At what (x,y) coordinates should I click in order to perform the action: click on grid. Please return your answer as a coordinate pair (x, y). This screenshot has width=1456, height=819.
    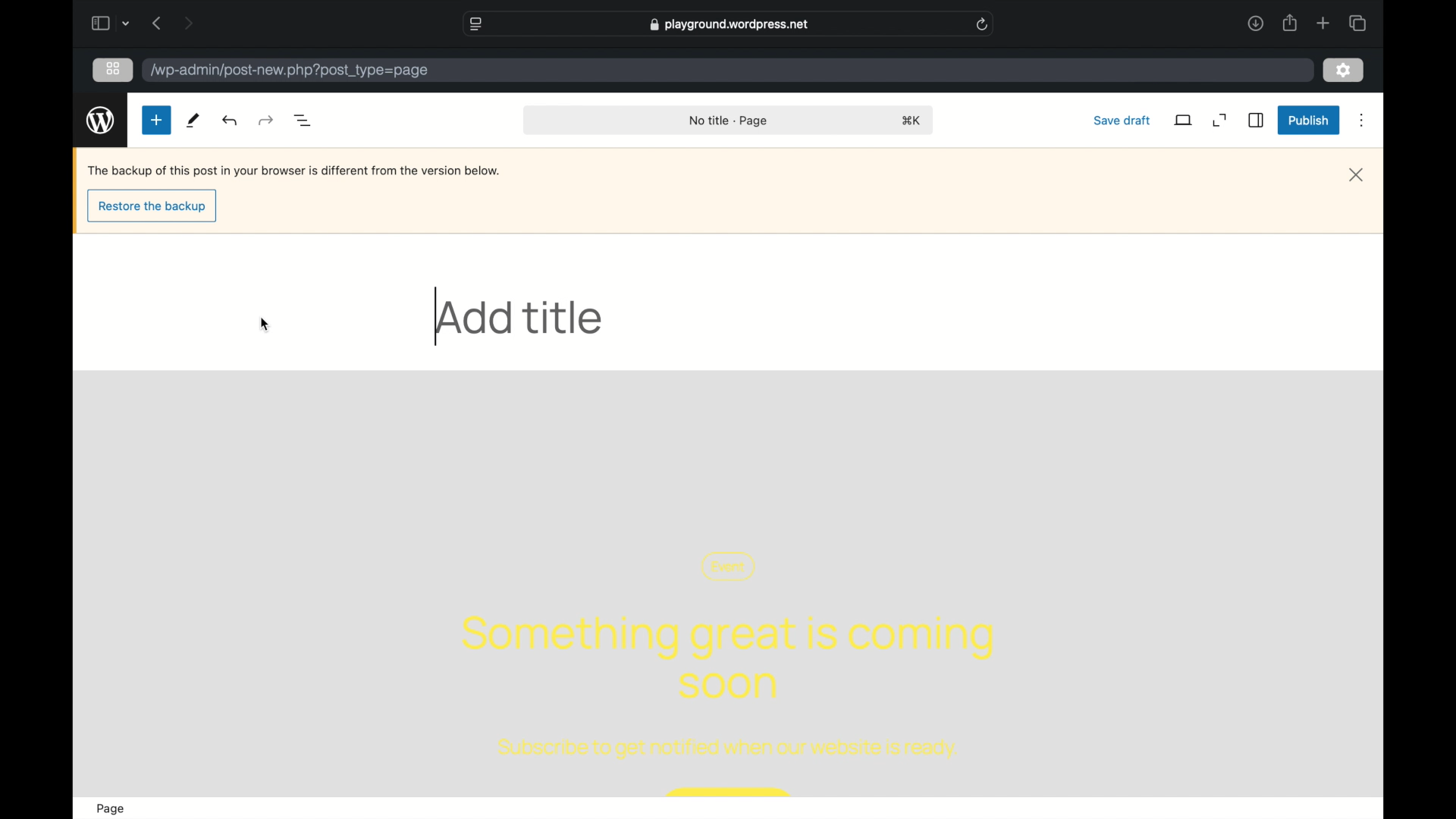
    Looking at the image, I should click on (113, 68).